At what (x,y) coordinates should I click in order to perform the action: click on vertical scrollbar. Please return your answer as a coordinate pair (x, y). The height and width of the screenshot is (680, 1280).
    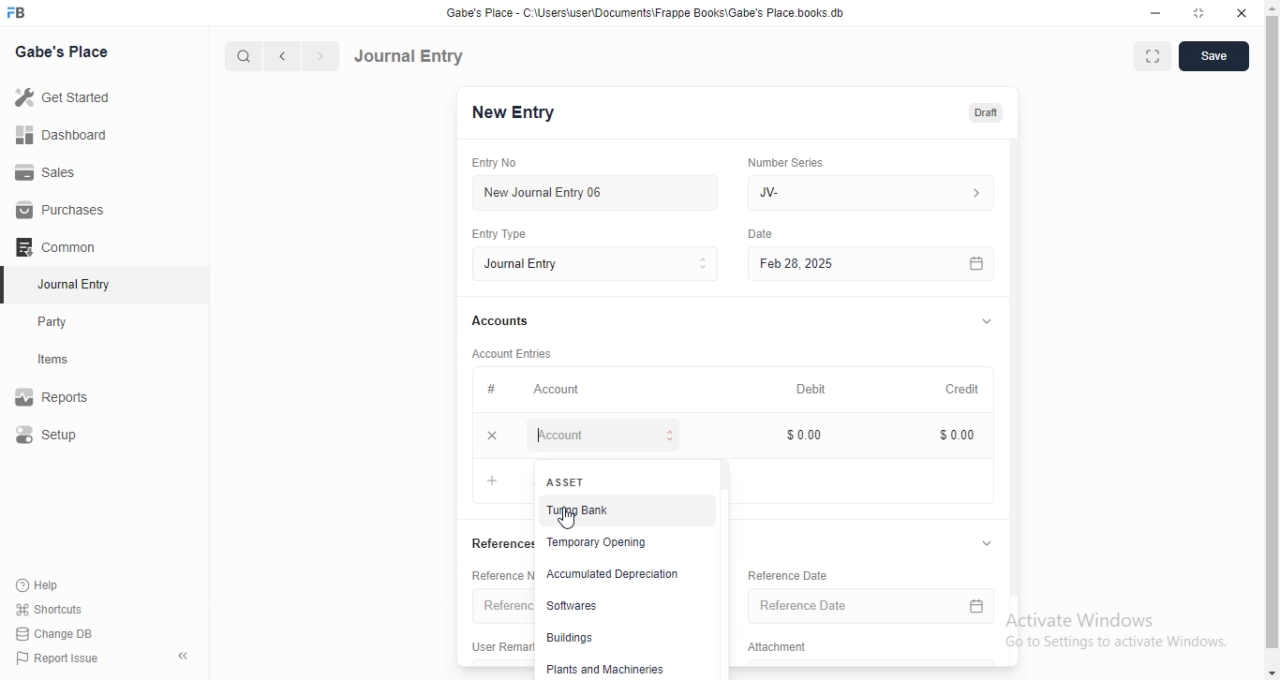
    Looking at the image, I should click on (1022, 365).